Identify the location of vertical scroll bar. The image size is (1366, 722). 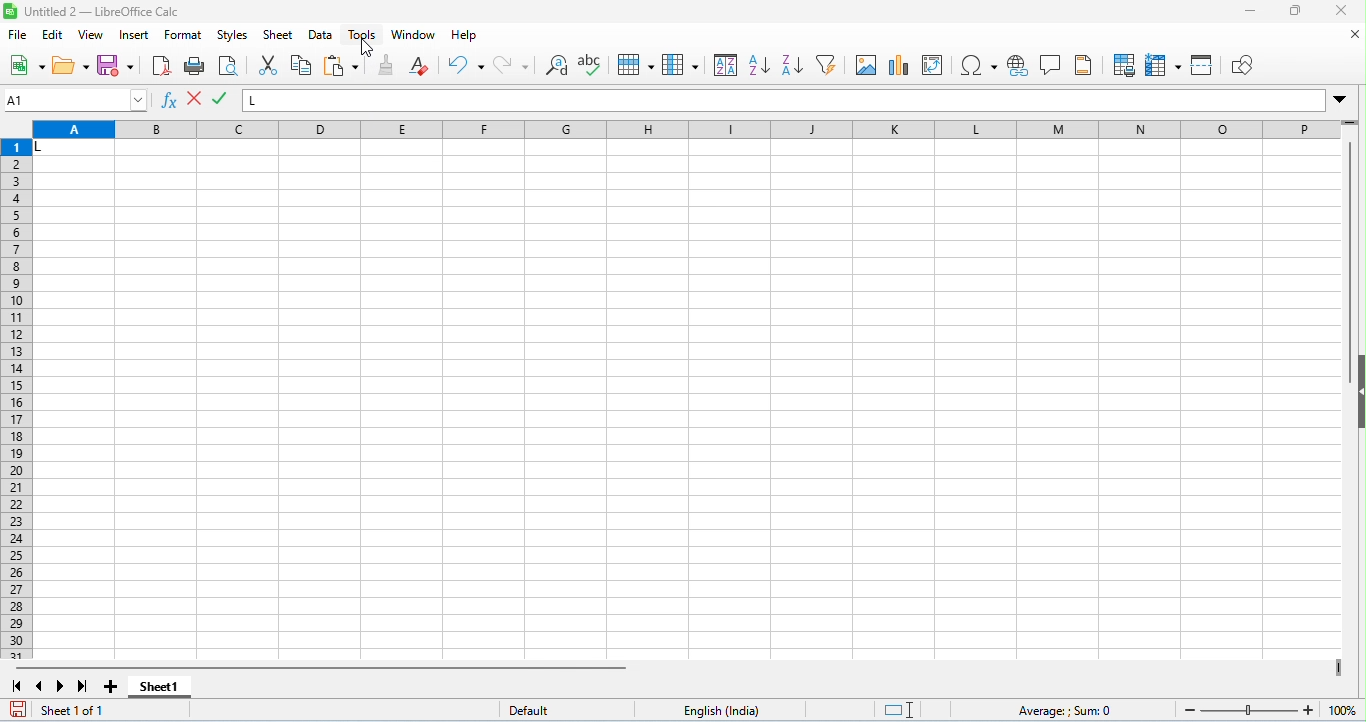
(1351, 264).